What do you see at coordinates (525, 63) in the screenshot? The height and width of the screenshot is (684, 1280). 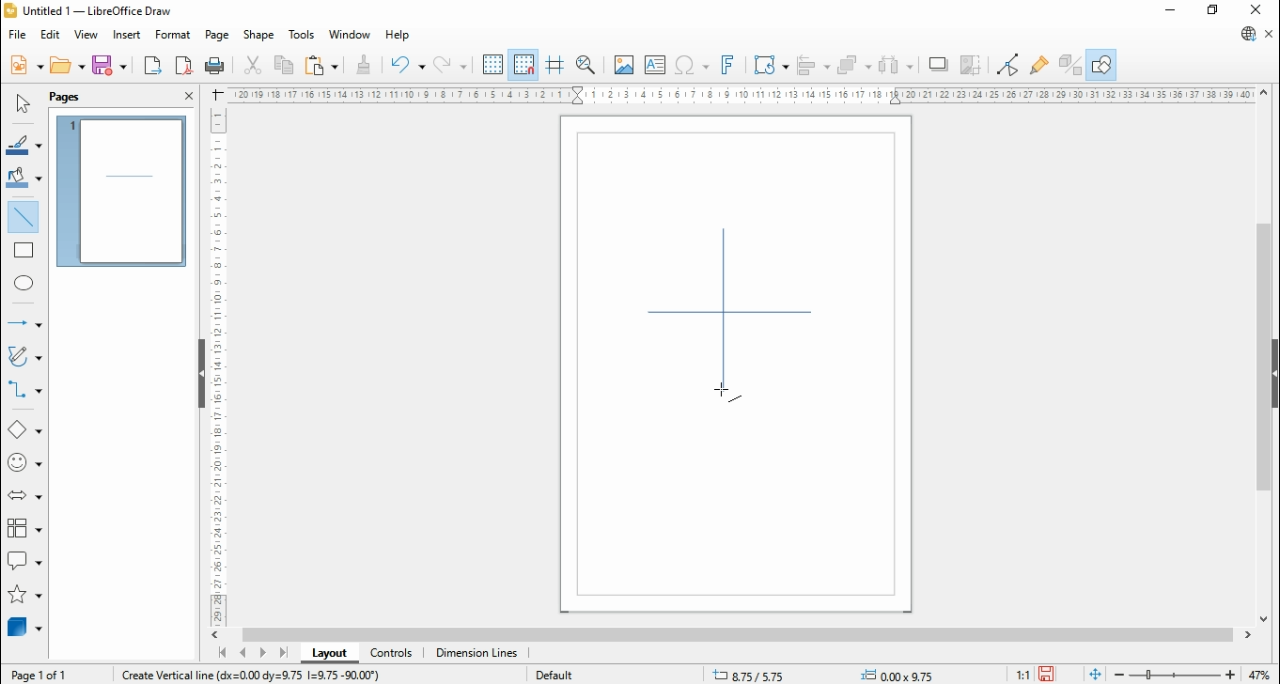 I see `snap to grids` at bounding box center [525, 63].